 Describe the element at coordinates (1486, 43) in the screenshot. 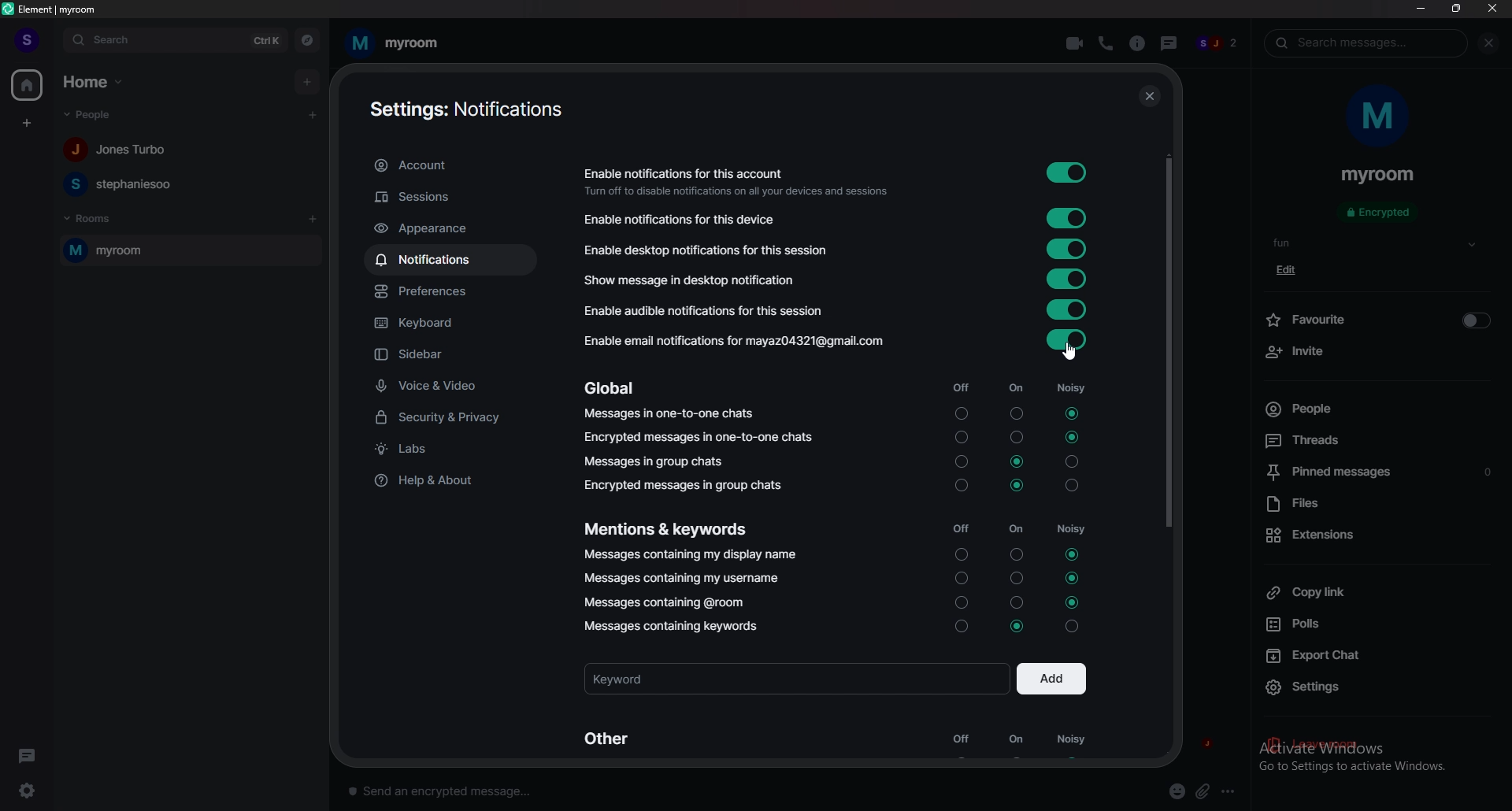

I see `close info` at that location.